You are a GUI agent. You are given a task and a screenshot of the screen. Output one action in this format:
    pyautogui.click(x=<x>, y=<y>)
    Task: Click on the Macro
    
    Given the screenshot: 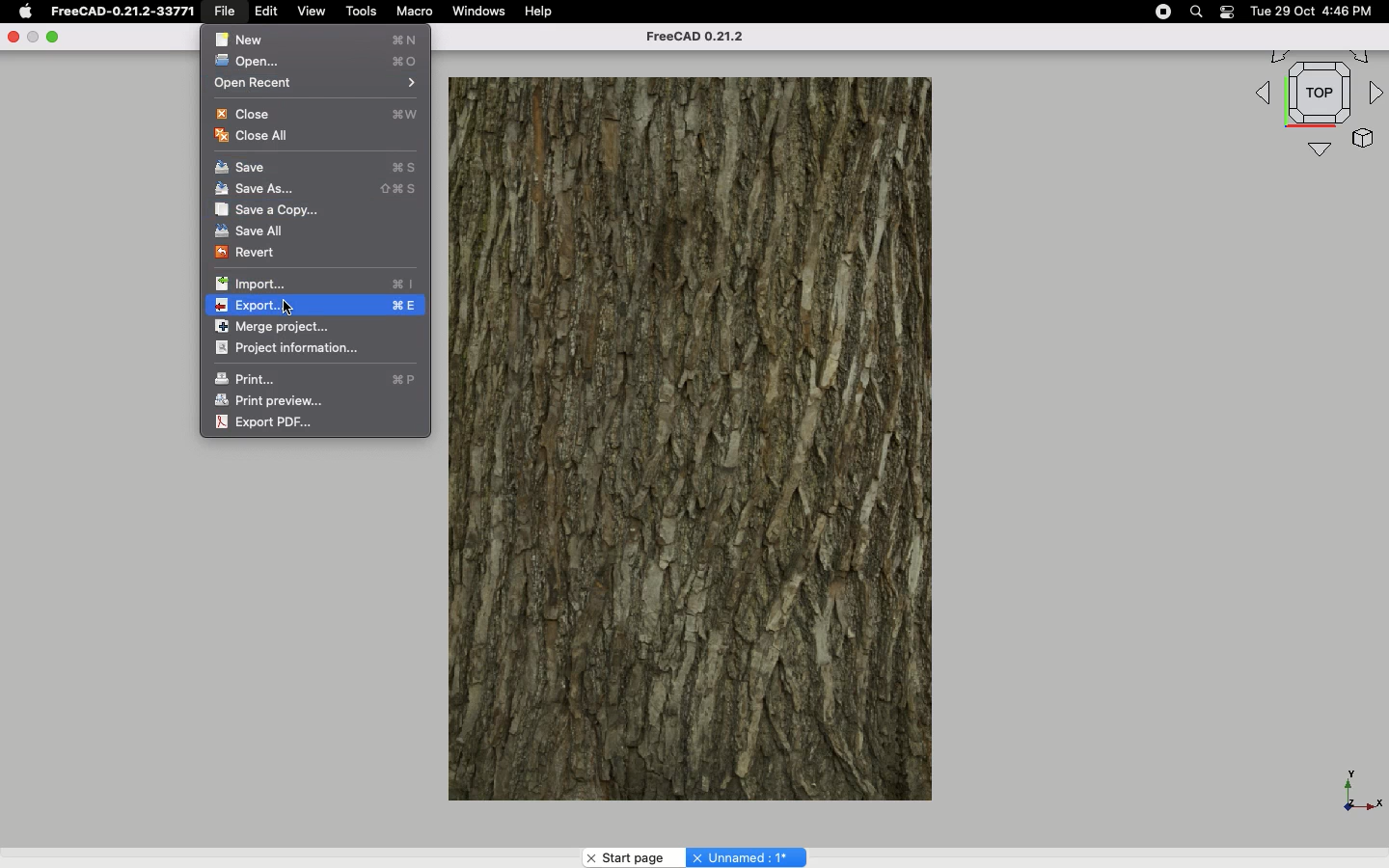 What is the action you would take?
    pyautogui.click(x=419, y=14)
    